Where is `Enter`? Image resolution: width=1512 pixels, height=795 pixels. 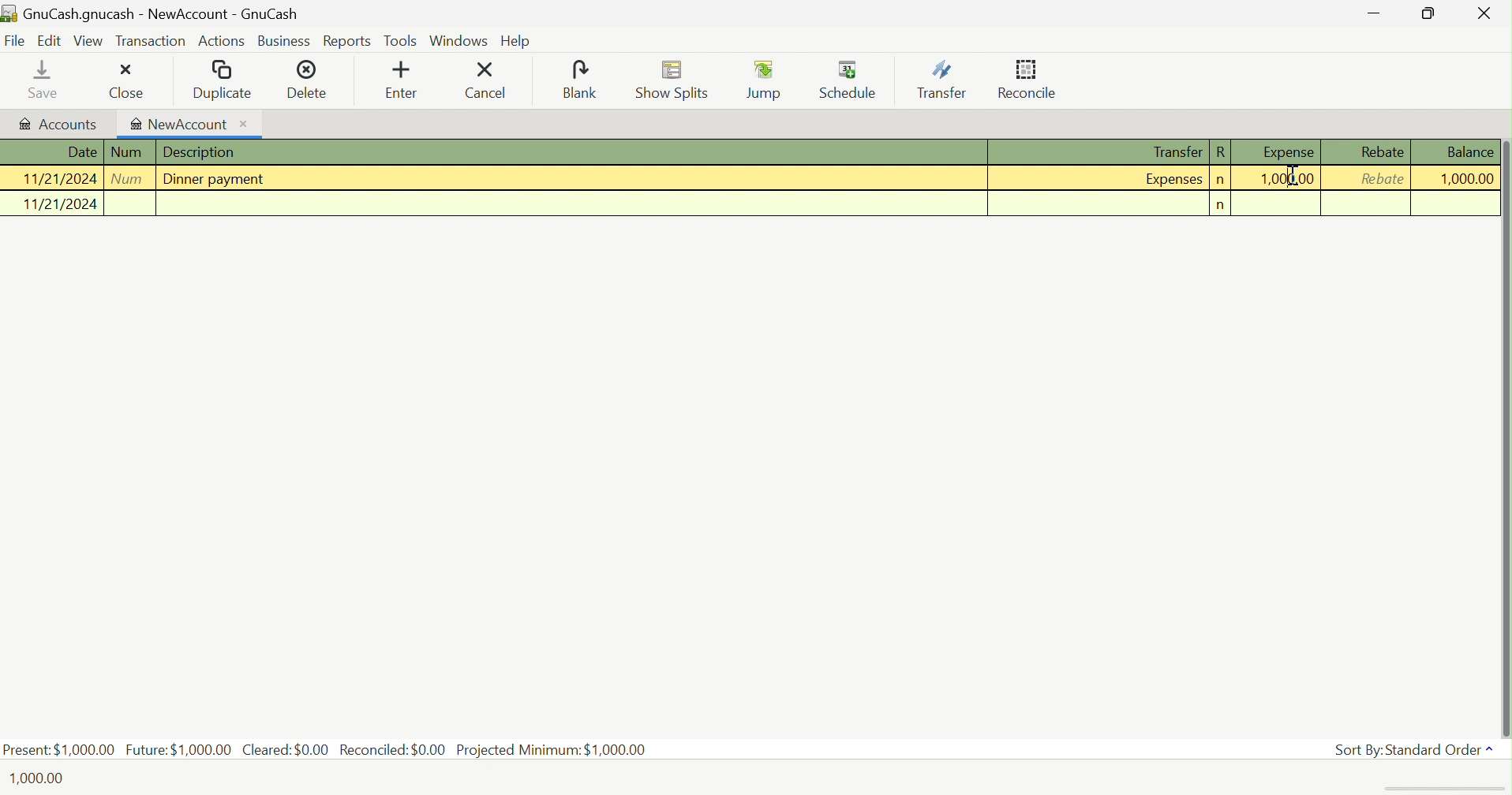
Enter is located at coordinates (403, 80).